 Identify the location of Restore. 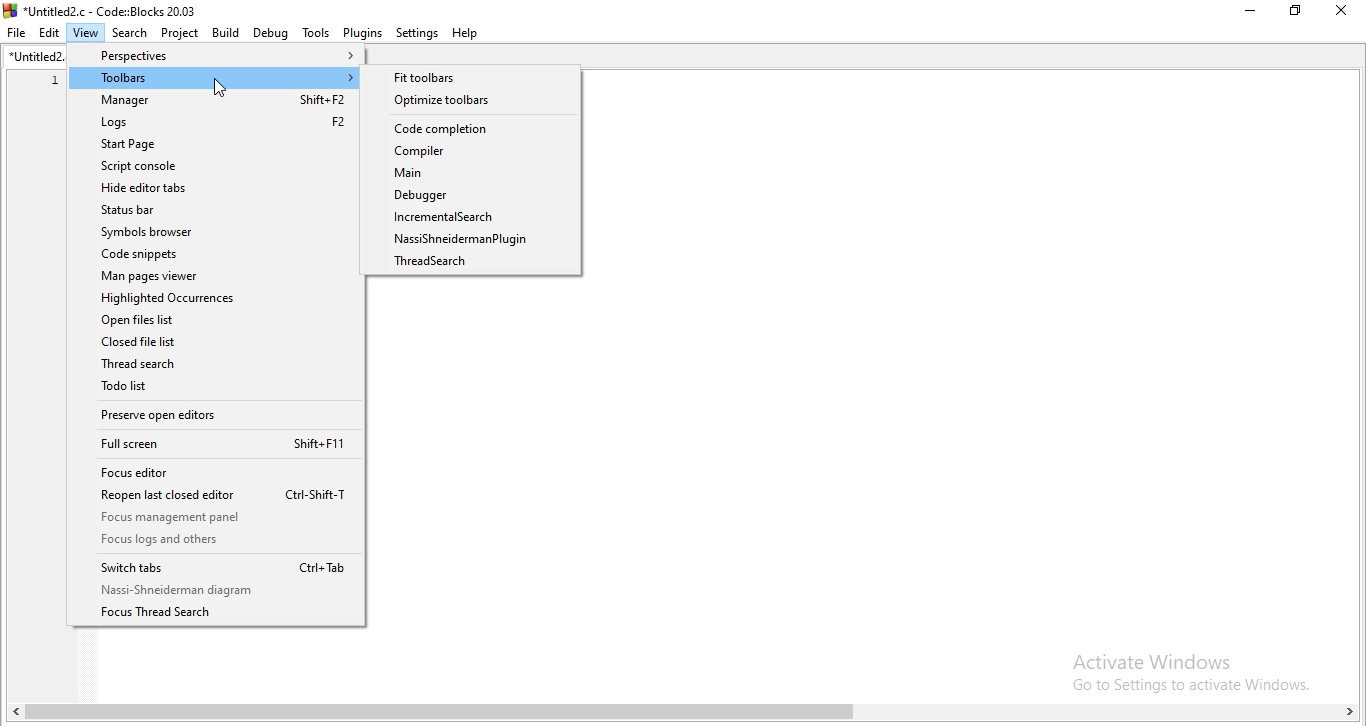
(1297, 11).